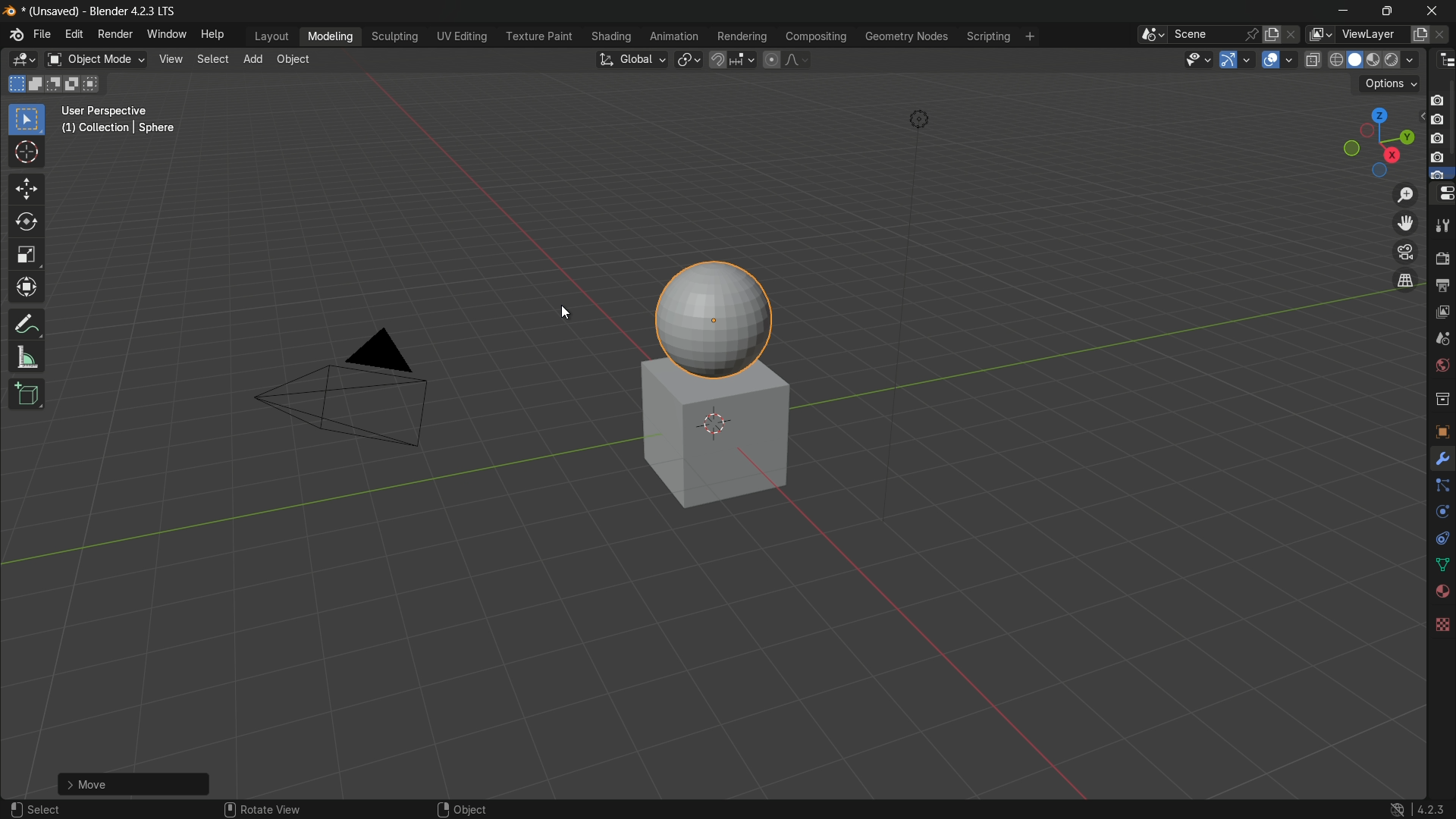  Describe the element at coordinates (76, 34) in the screenshot. I see `edit menu` at that location.